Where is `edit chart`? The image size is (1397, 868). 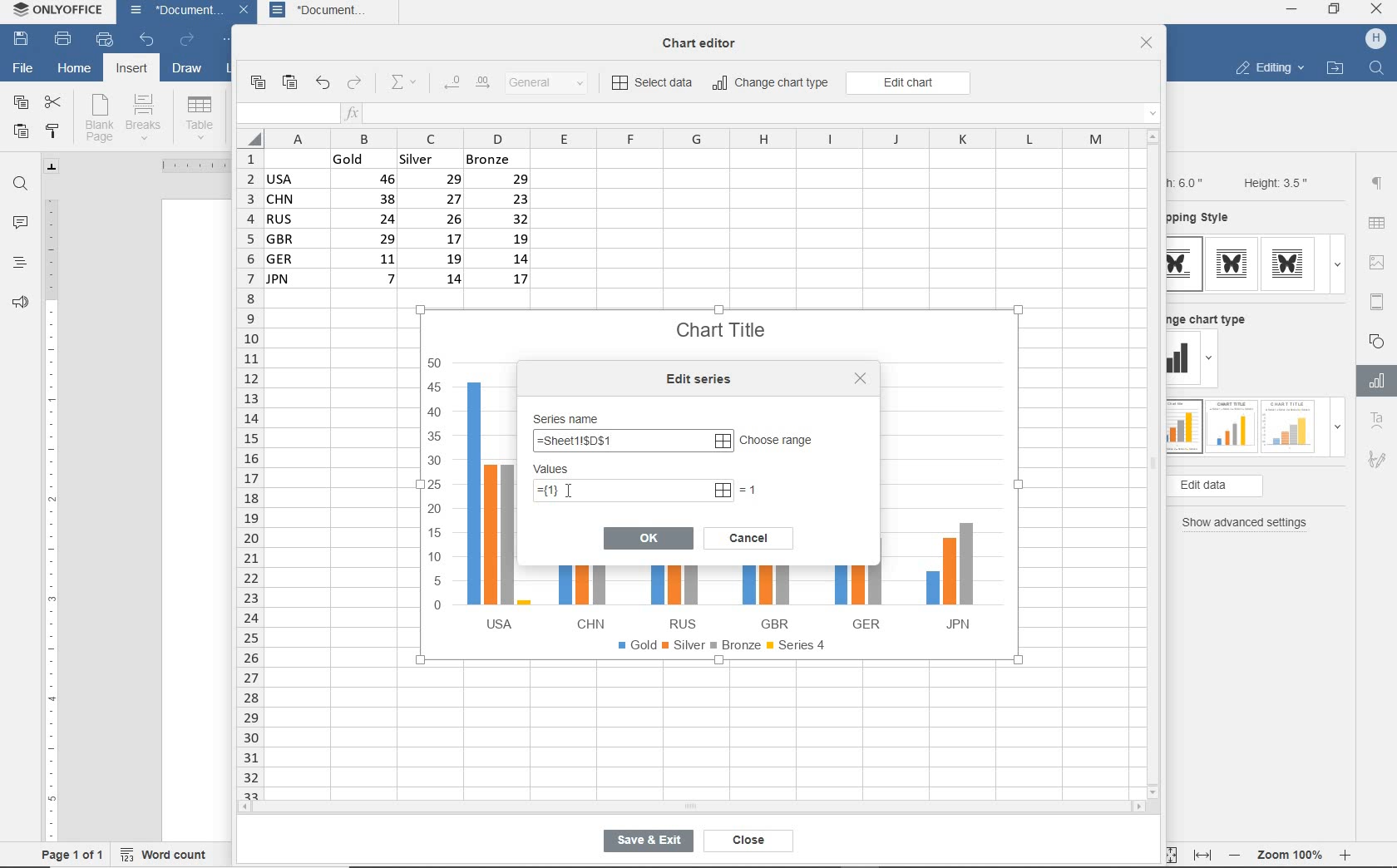 edit chart is located at coordinates (908, 83).